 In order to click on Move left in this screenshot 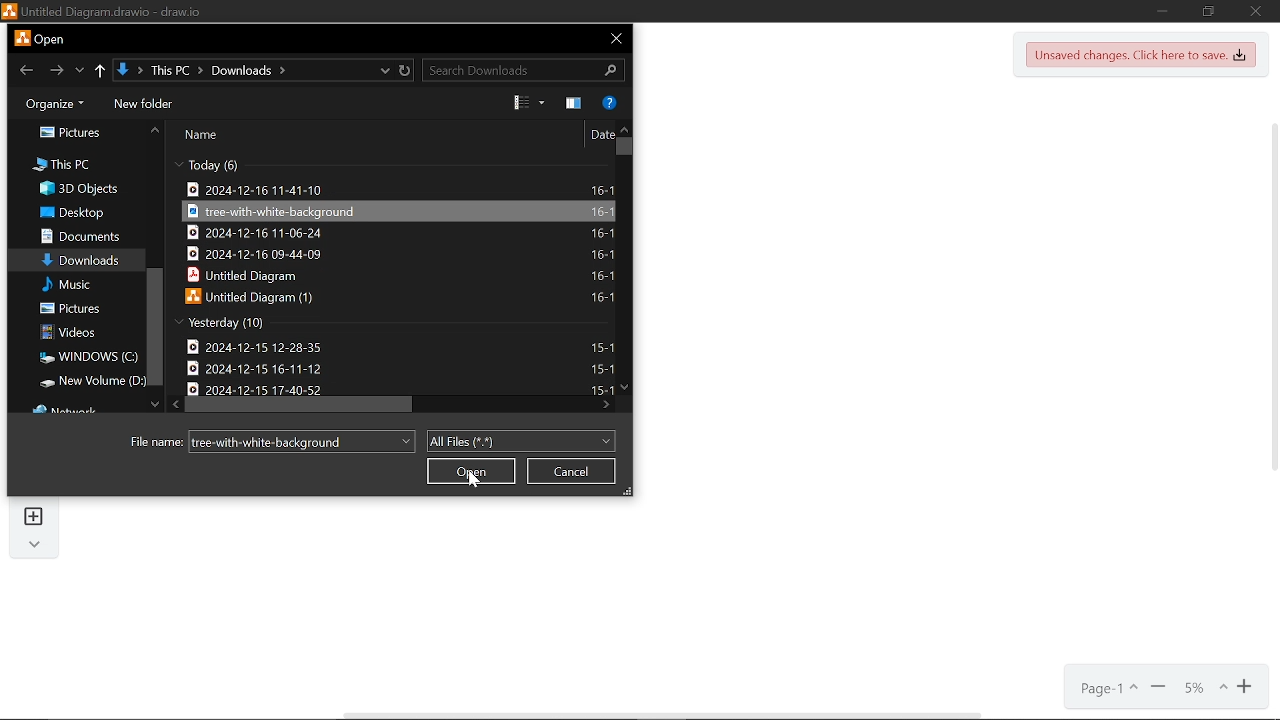, I will do `click(174, 403)`.